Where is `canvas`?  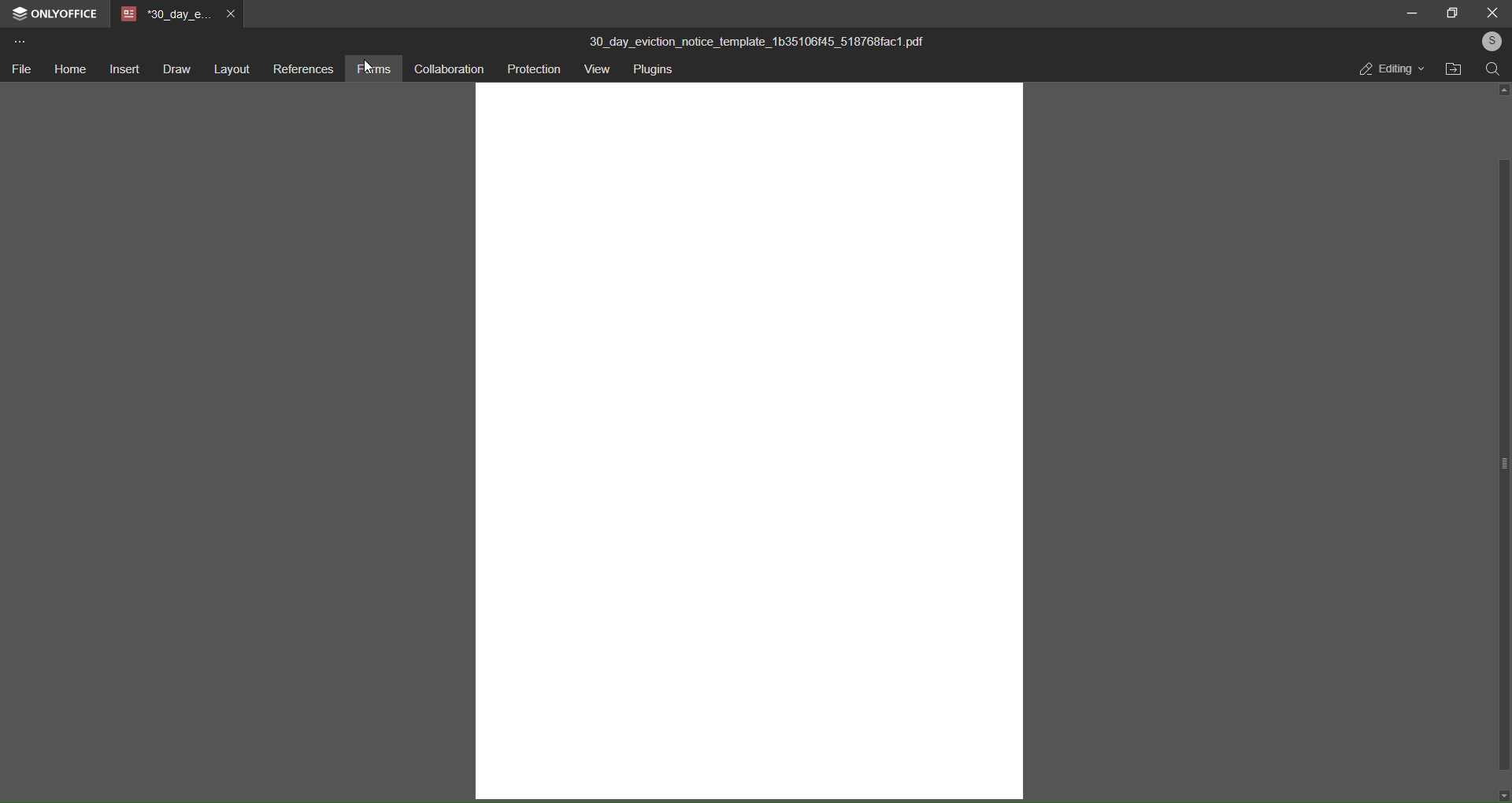 canvas is located at coordinates (750, 443).